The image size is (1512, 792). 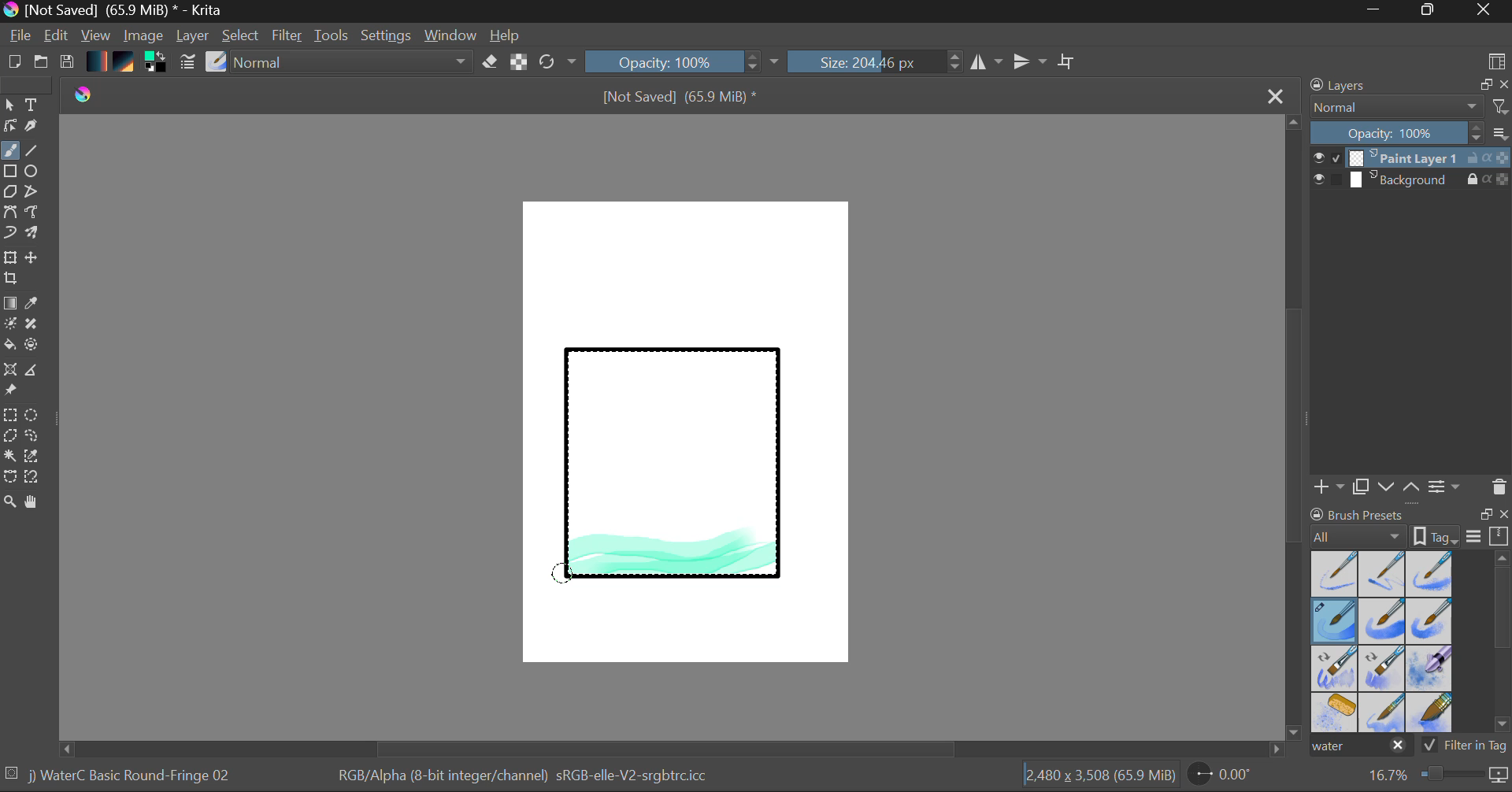 I want to click on Brush Size, so click(x=876, y=61).